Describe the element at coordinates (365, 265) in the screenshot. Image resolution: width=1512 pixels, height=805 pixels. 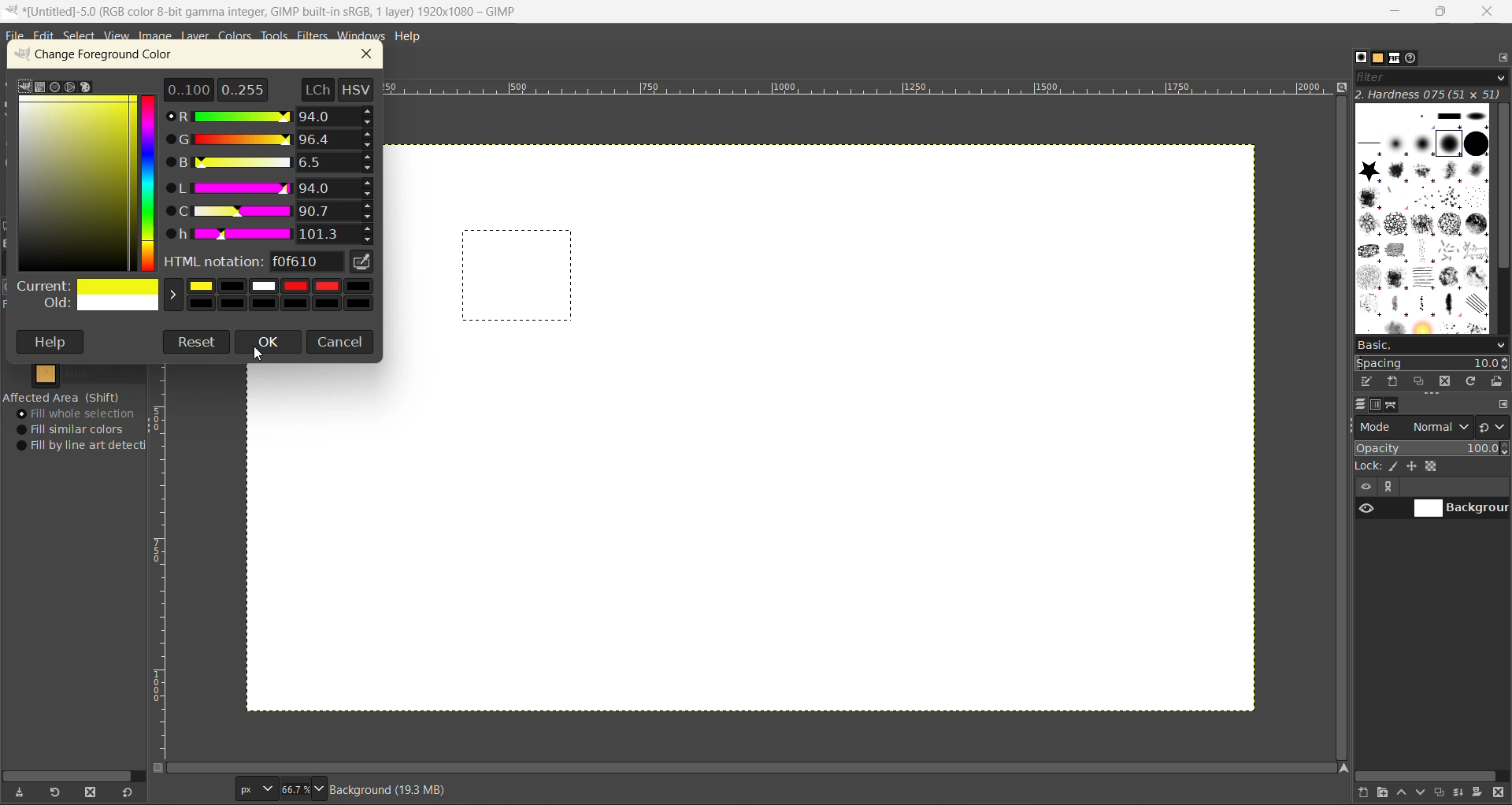
I see `eyedropper` at that location.